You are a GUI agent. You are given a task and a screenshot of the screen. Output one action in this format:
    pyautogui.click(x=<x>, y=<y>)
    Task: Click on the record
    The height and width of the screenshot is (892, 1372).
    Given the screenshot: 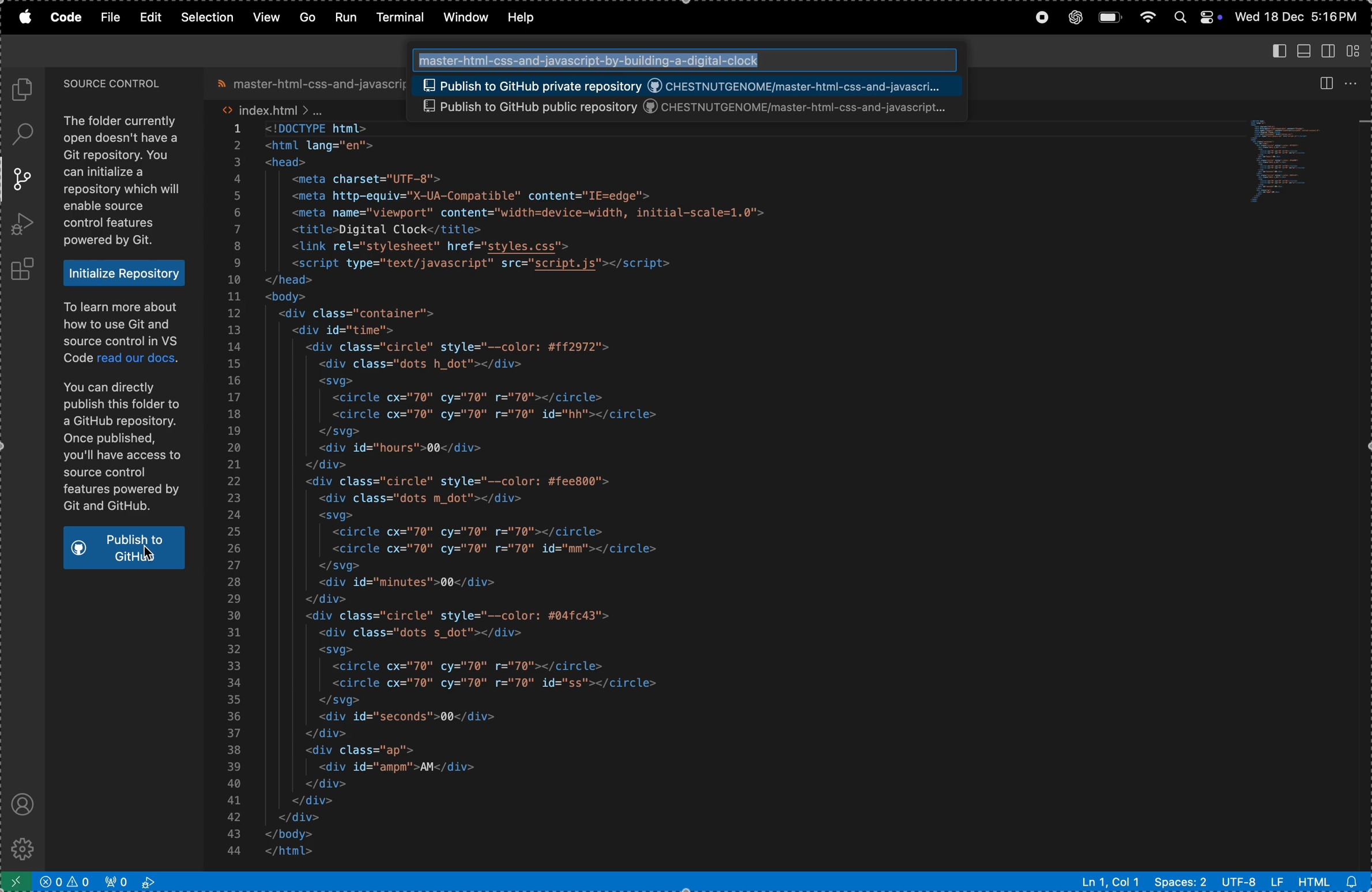 What is the action you would take?
    pyautogui.click(x=1041, y=18)
    